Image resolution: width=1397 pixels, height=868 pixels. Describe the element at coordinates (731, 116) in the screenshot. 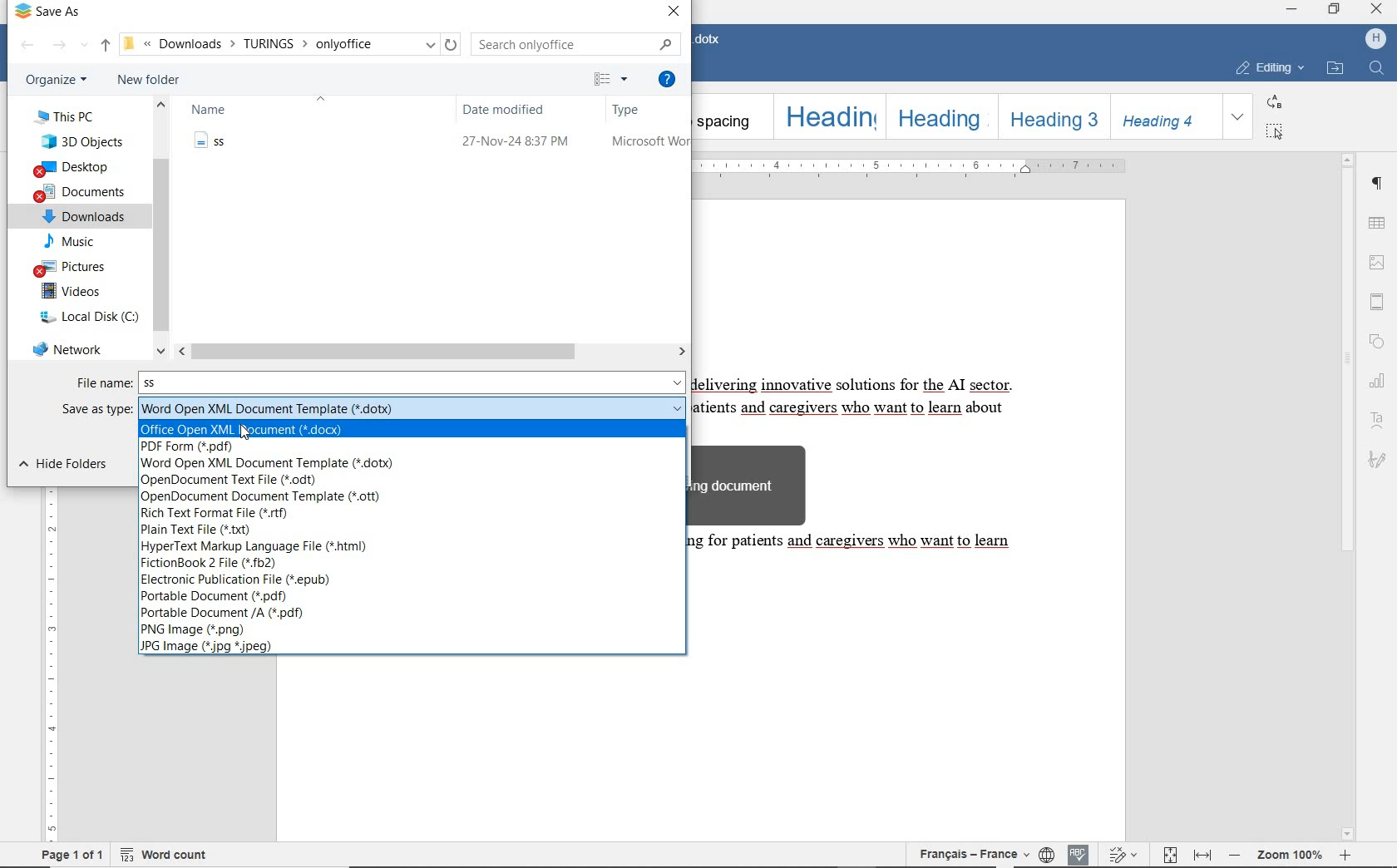

I see `NO SPACING` at that location.